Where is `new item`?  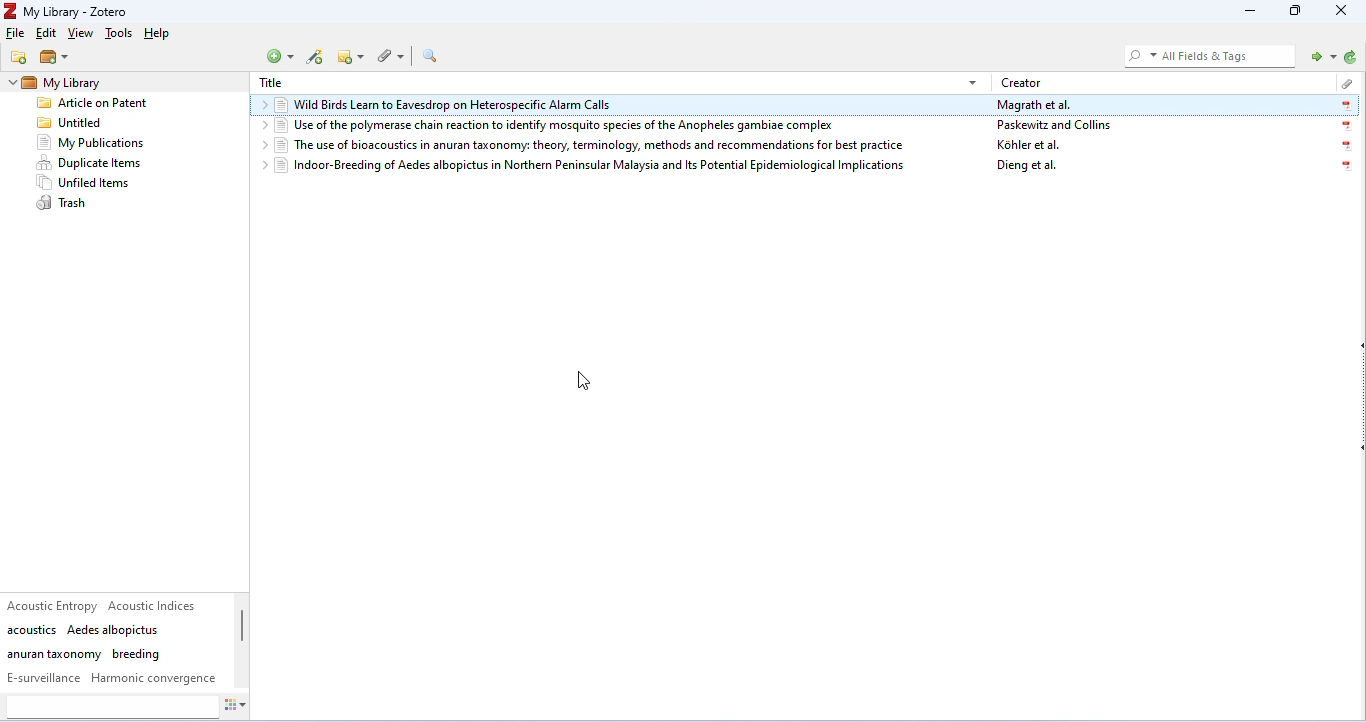 new item is located at coordinates (282, 56).